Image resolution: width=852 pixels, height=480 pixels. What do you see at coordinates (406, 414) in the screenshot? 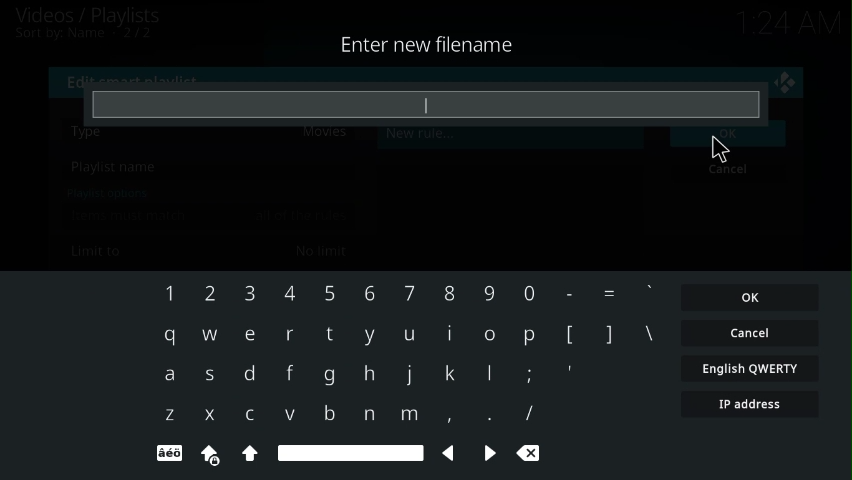
I see `m` at bounding box center [406, 414].